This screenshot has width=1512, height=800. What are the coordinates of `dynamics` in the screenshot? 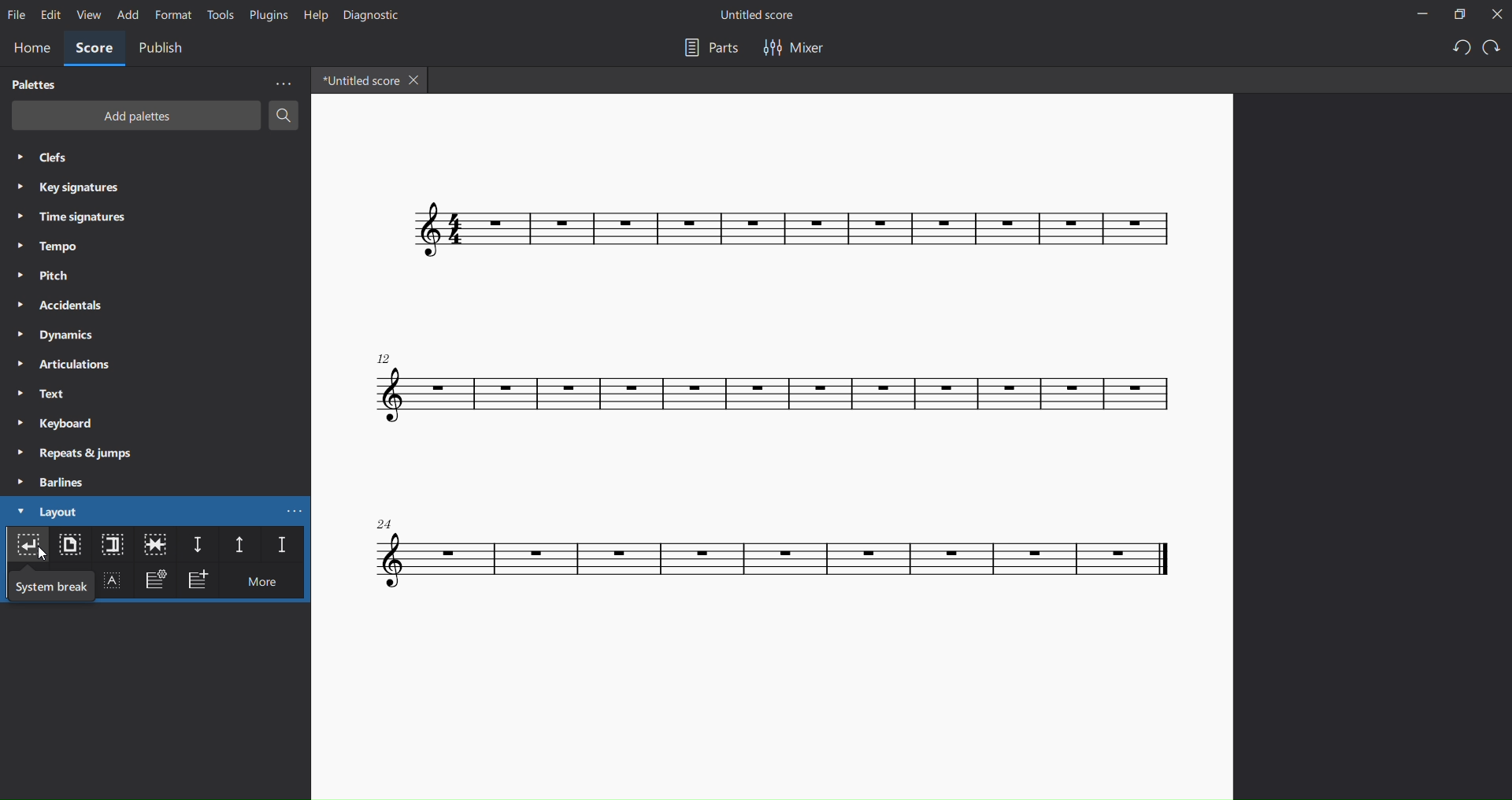 It's located at (59, 334).